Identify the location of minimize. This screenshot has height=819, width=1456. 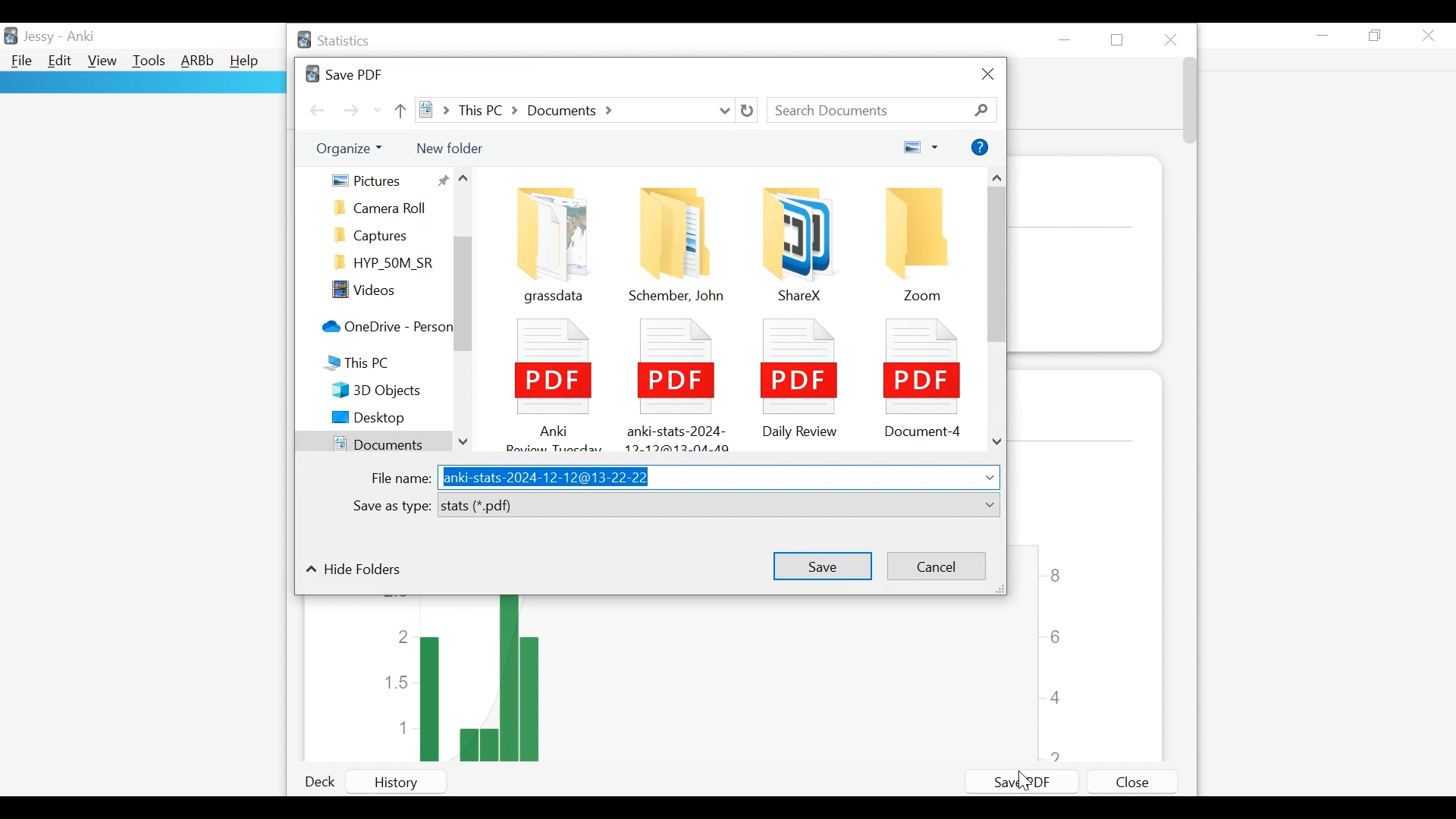
(1323, 35).